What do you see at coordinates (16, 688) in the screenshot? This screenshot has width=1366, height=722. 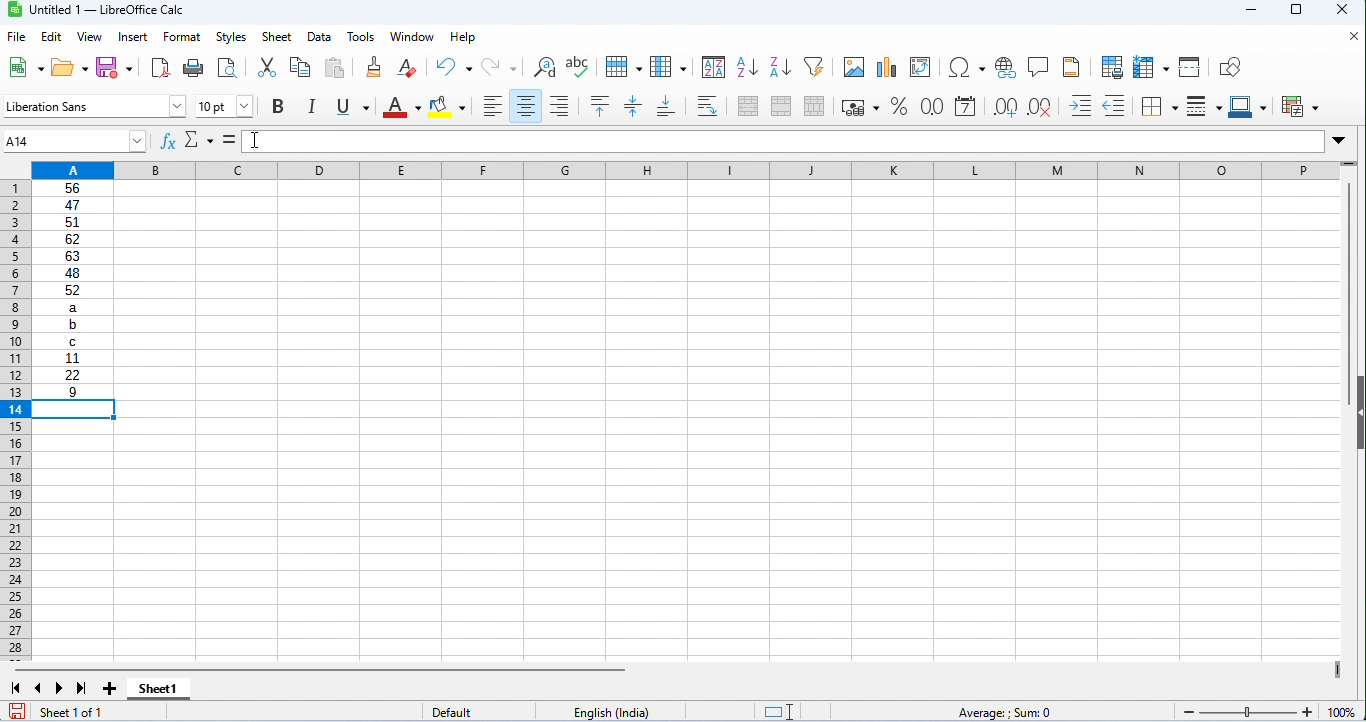 I see `first sheet` at bounding box center [16, 688].